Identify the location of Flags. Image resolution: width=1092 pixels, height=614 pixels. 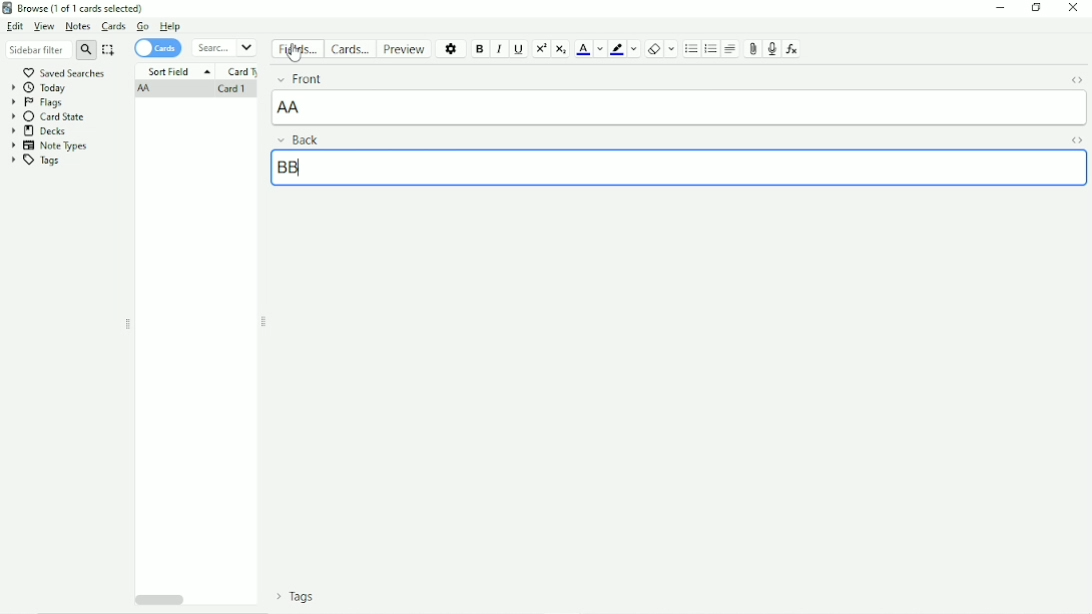
(37, 103).